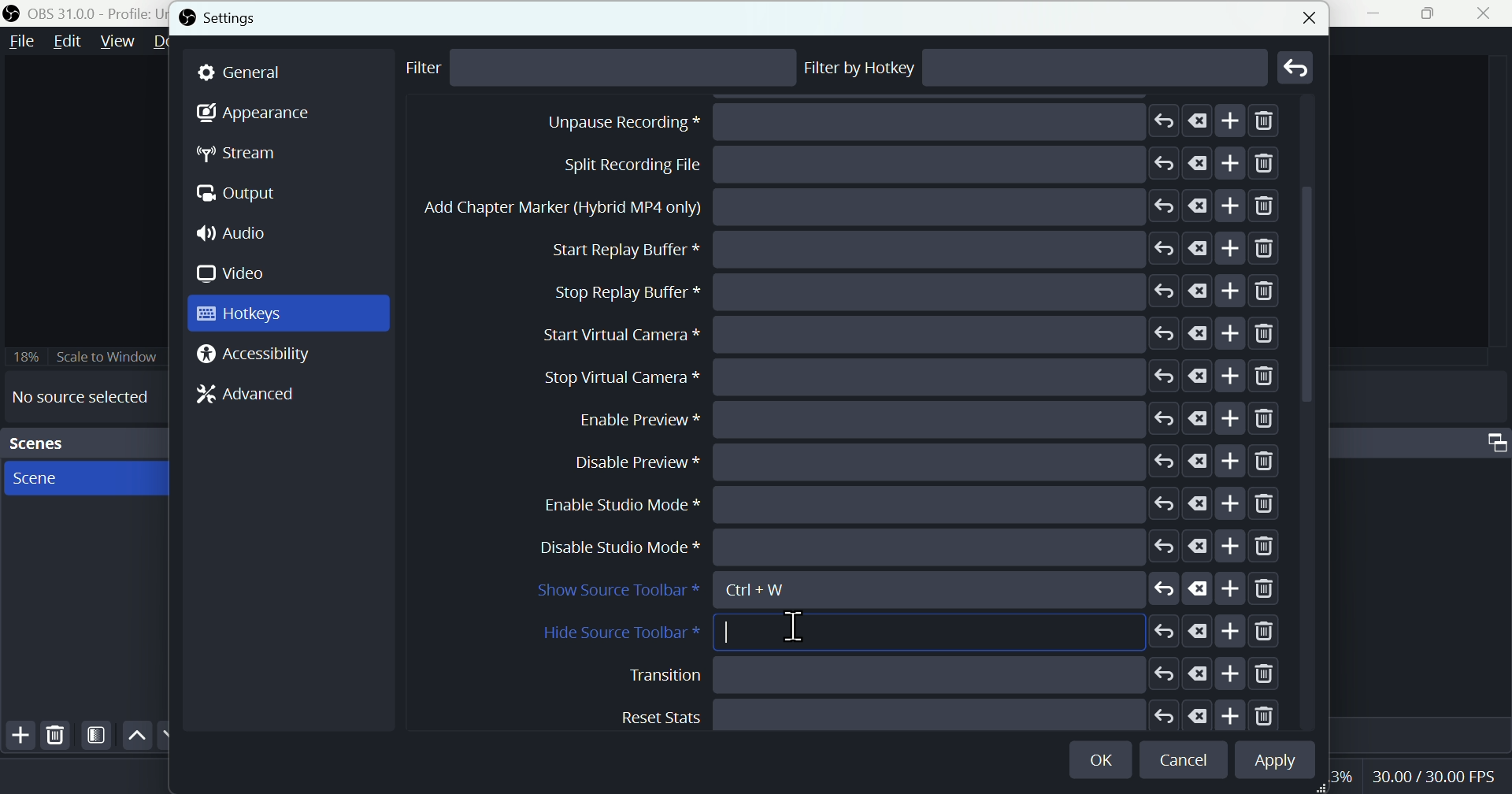 This screenshot has height=794, width=1512. Describe the element at coordinates (84, 356) in the screenshot. I see `Scale to window` at that location.